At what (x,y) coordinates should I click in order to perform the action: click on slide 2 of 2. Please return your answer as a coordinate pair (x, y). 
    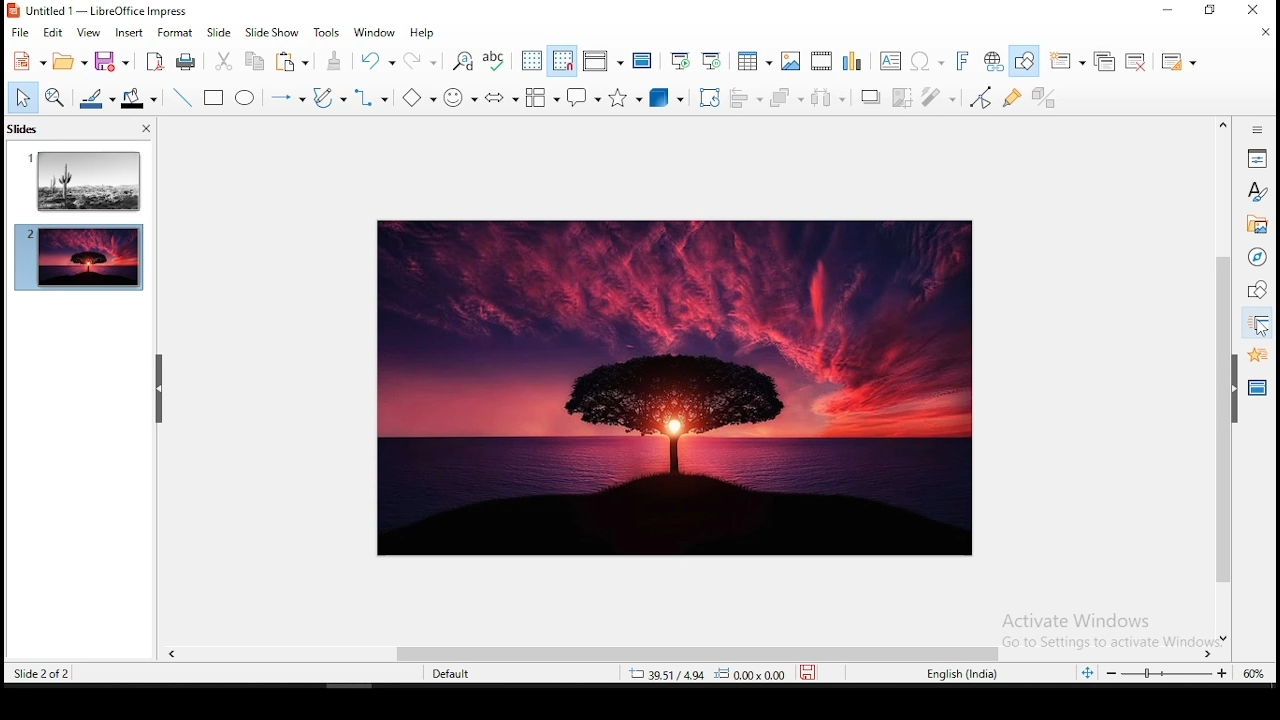
    Looking at the image, I should click on (43, 675).